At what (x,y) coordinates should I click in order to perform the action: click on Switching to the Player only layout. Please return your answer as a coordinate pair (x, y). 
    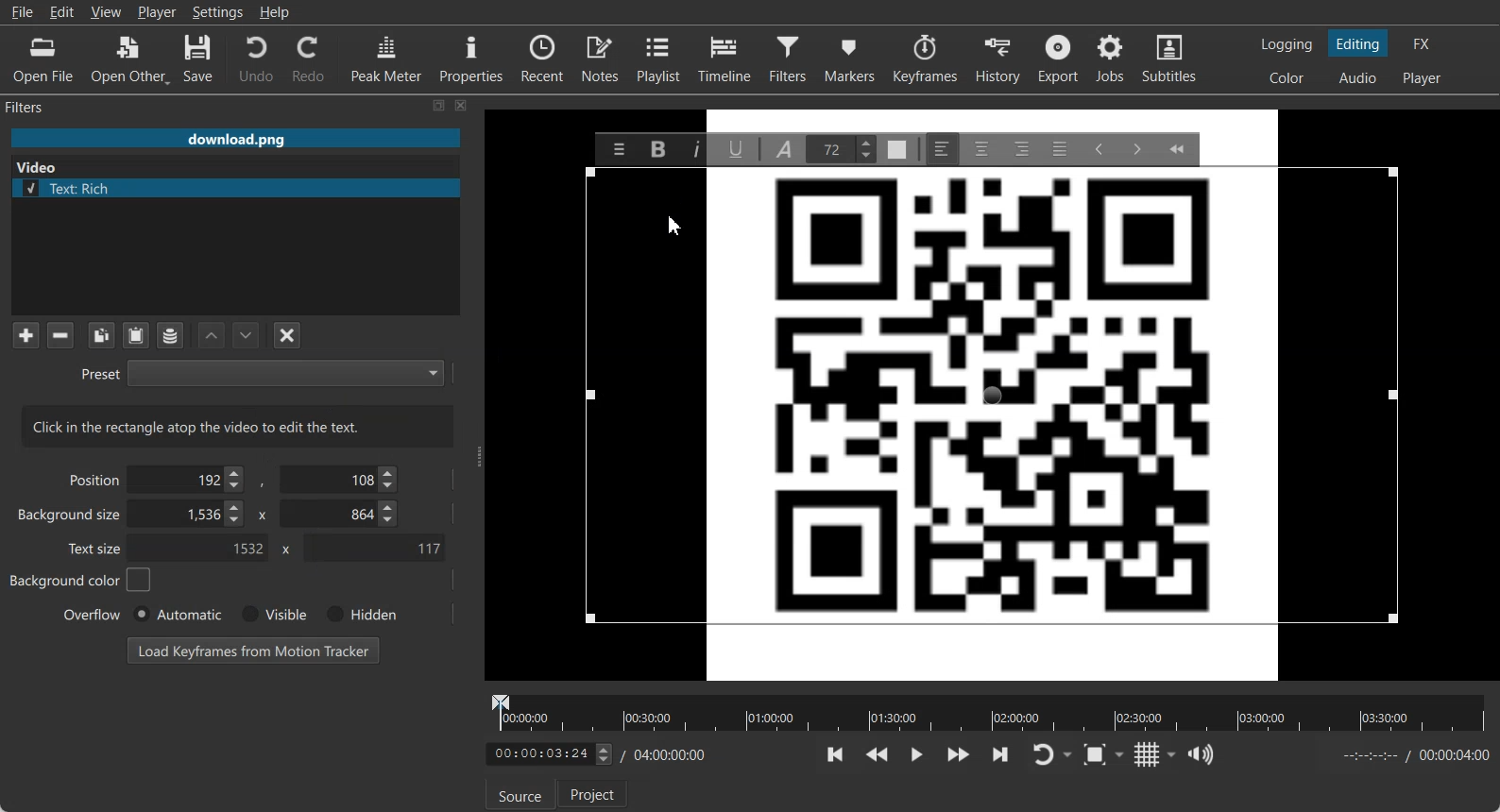
    Looking at the image, I should click on (1423, 78).